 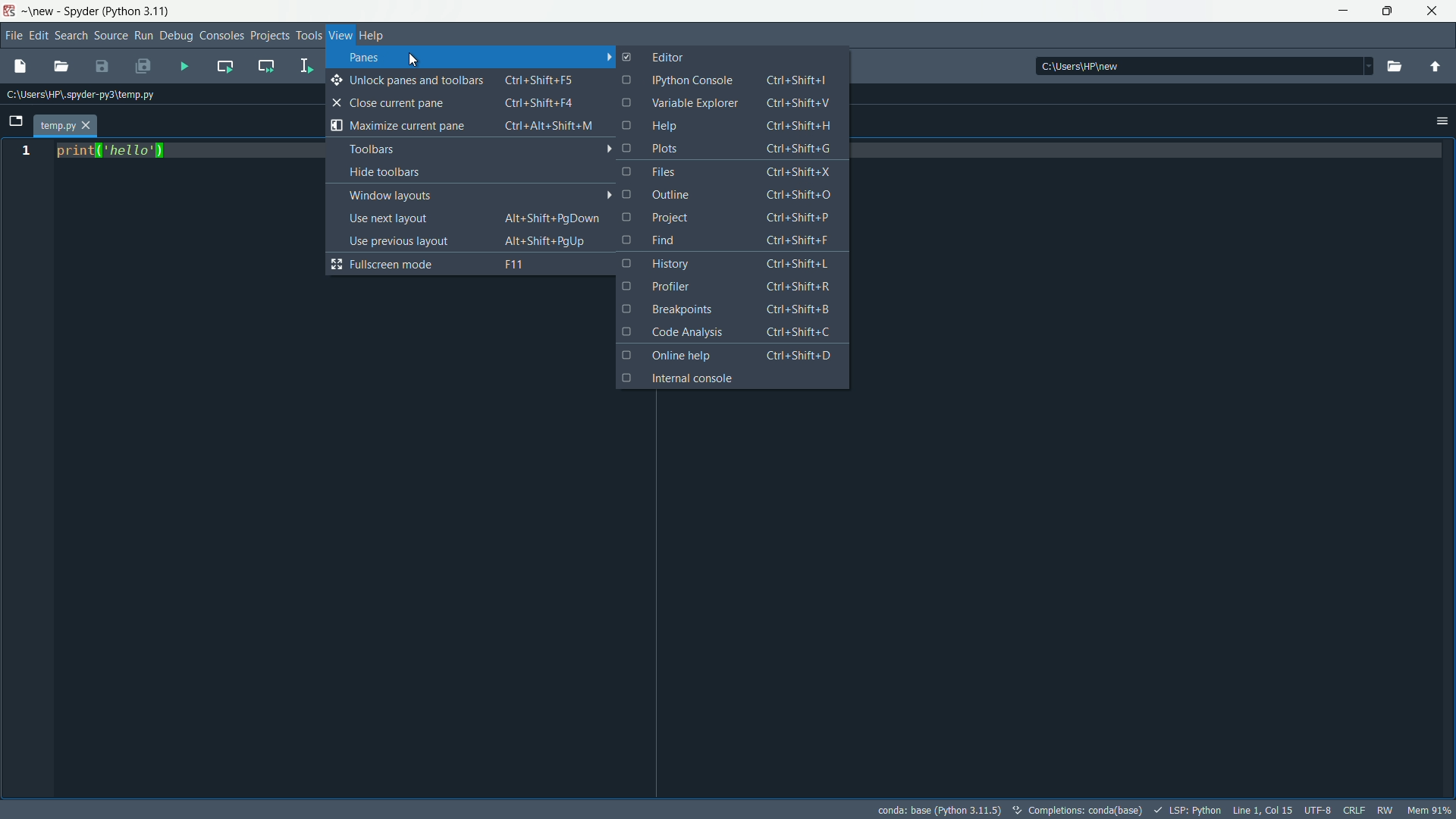 I want to click on Spyder, so click(x=83, y=11).